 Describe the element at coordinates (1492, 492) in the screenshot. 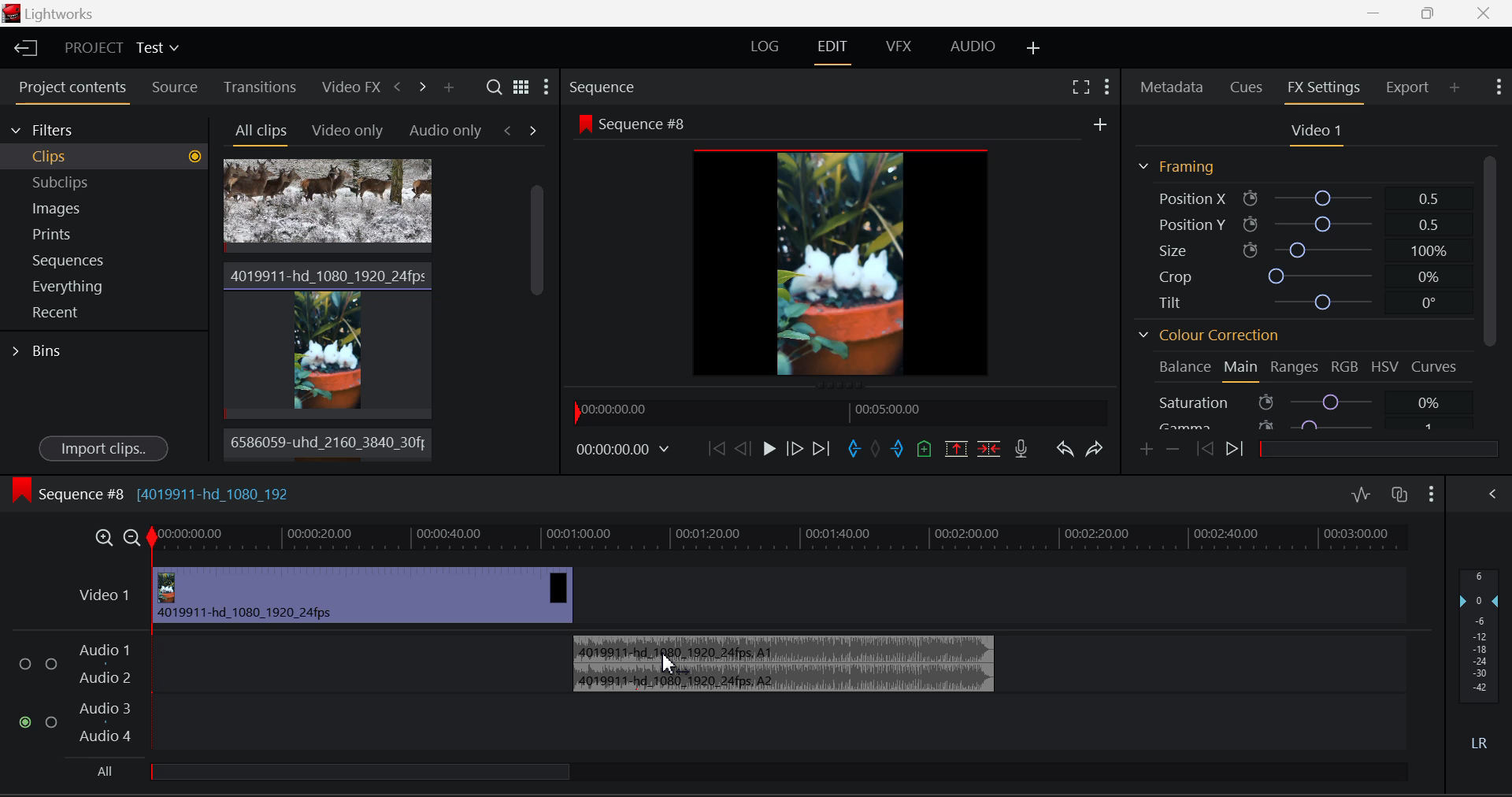

I see `Show Audio Mix` at that location.